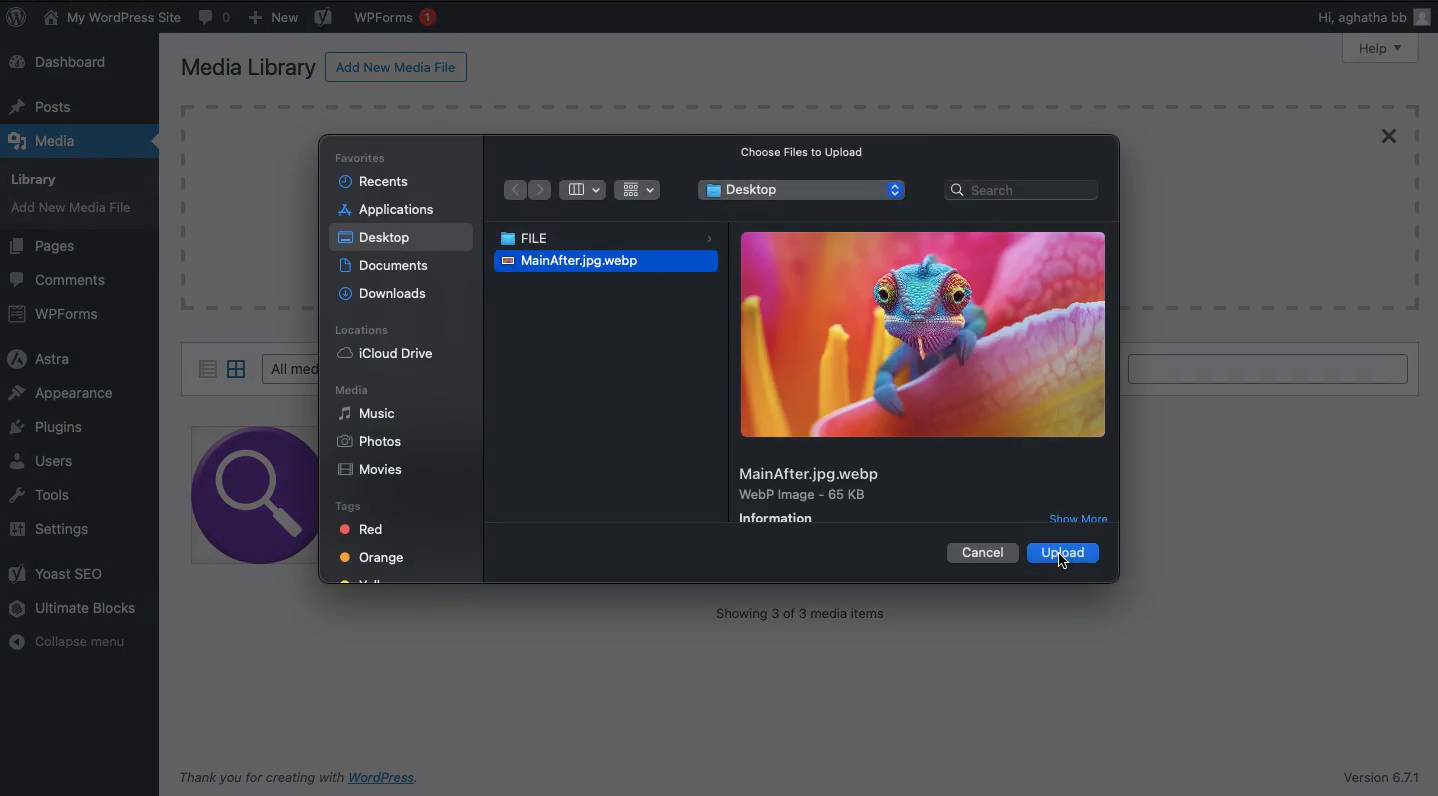  What do you see at coordinates (375, 236) in the screenshot?
I see `Desktop` at bounding box center [375, 236].